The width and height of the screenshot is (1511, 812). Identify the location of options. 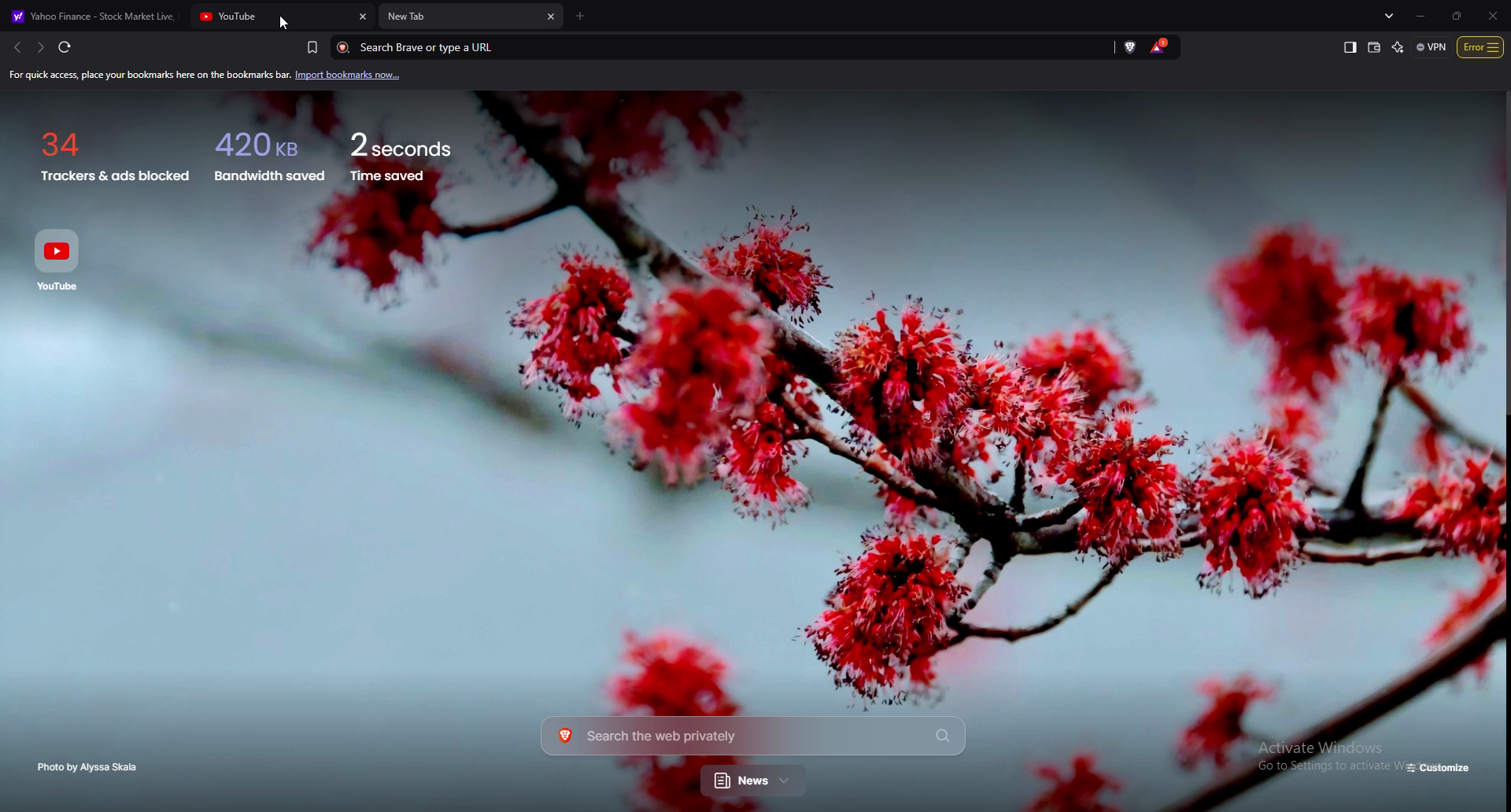
(1481, 46).